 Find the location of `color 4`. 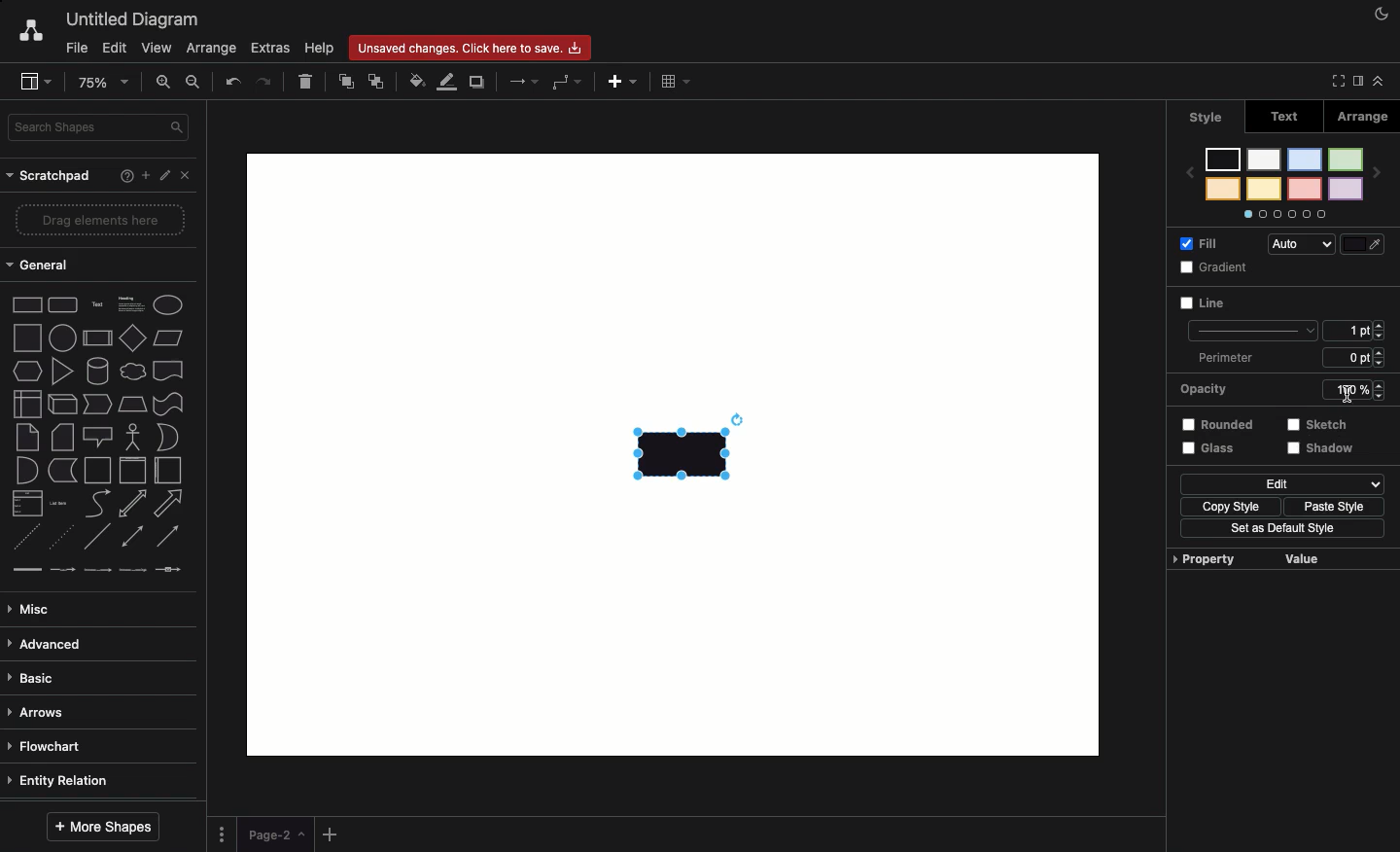

color 4 is located at coordinates (1304, 190).